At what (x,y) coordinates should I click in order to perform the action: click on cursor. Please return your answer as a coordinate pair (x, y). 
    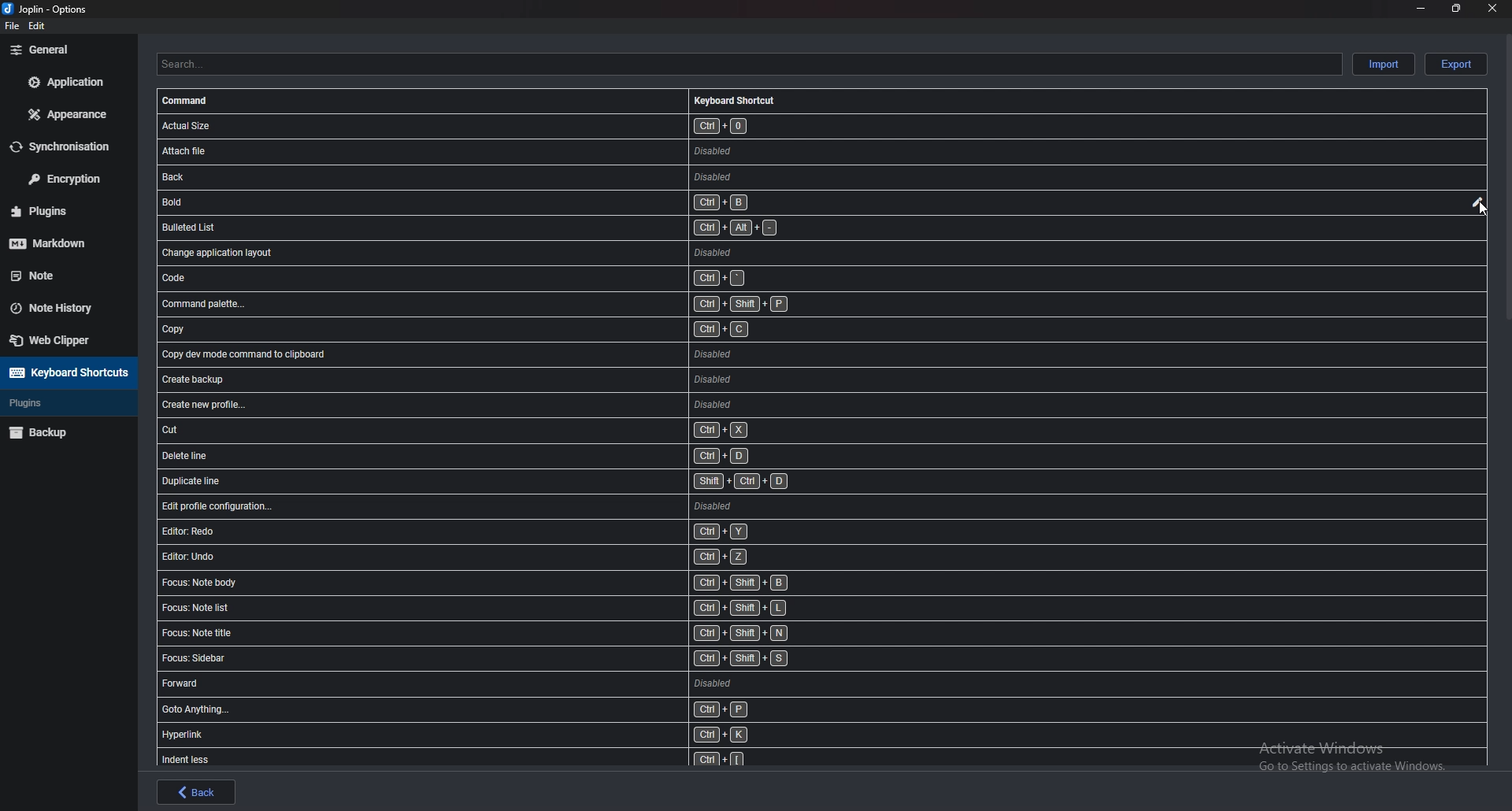
    Looking at the image, I should click on (1480, 212).